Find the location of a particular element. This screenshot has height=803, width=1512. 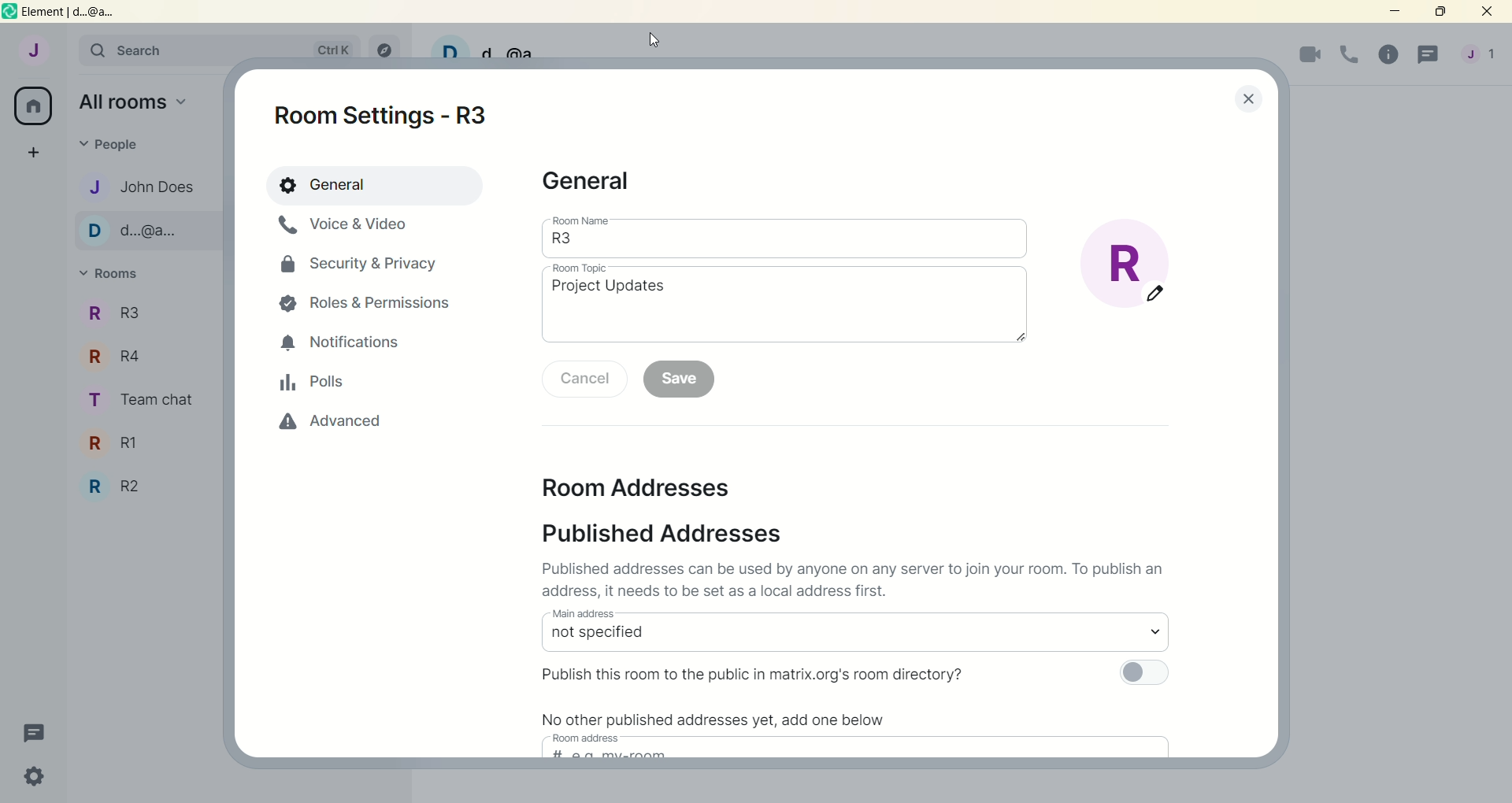

select main address is located at coordinates (849, 638).